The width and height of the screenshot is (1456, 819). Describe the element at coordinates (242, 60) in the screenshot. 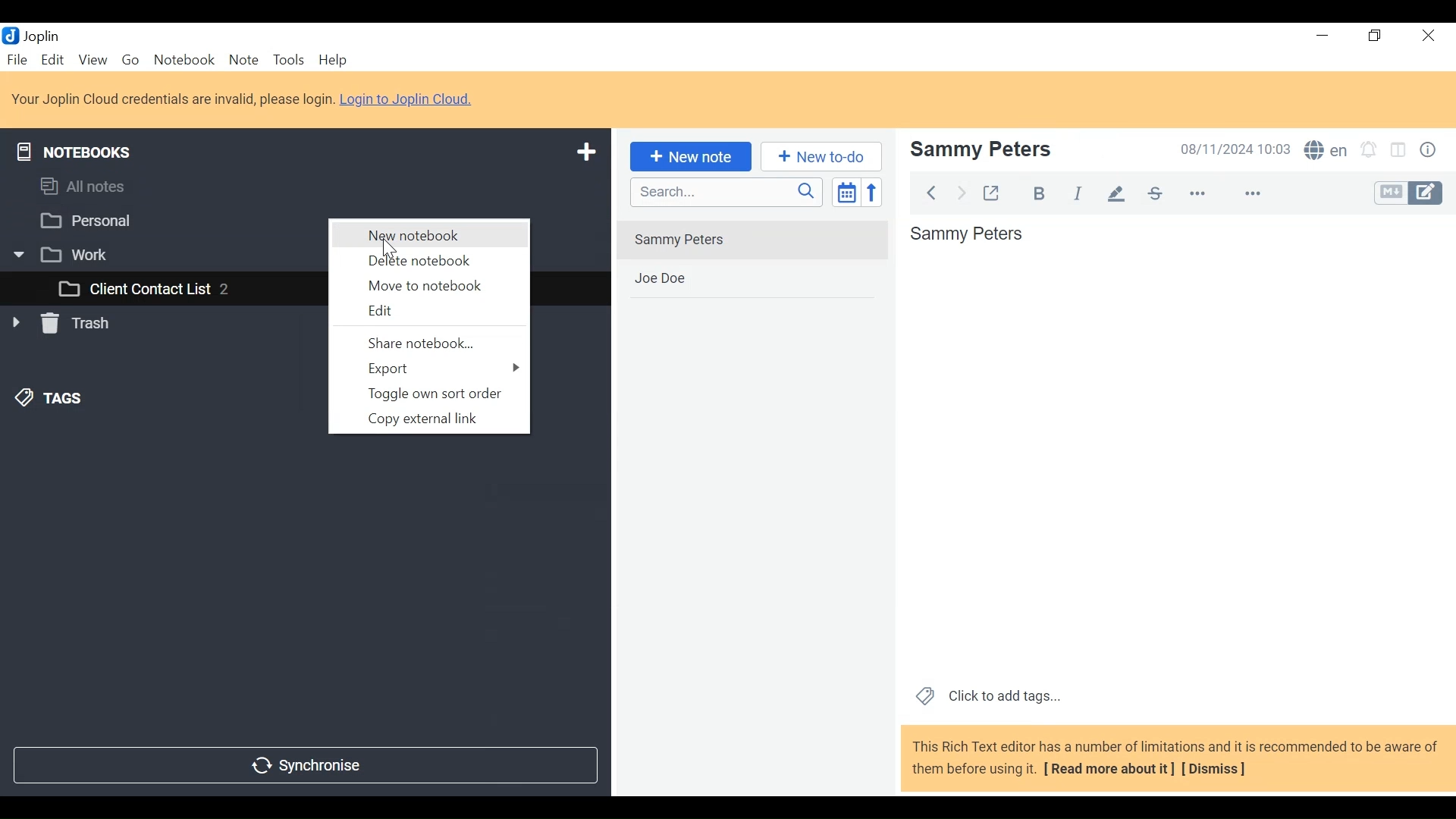

I see `Note` at that location.